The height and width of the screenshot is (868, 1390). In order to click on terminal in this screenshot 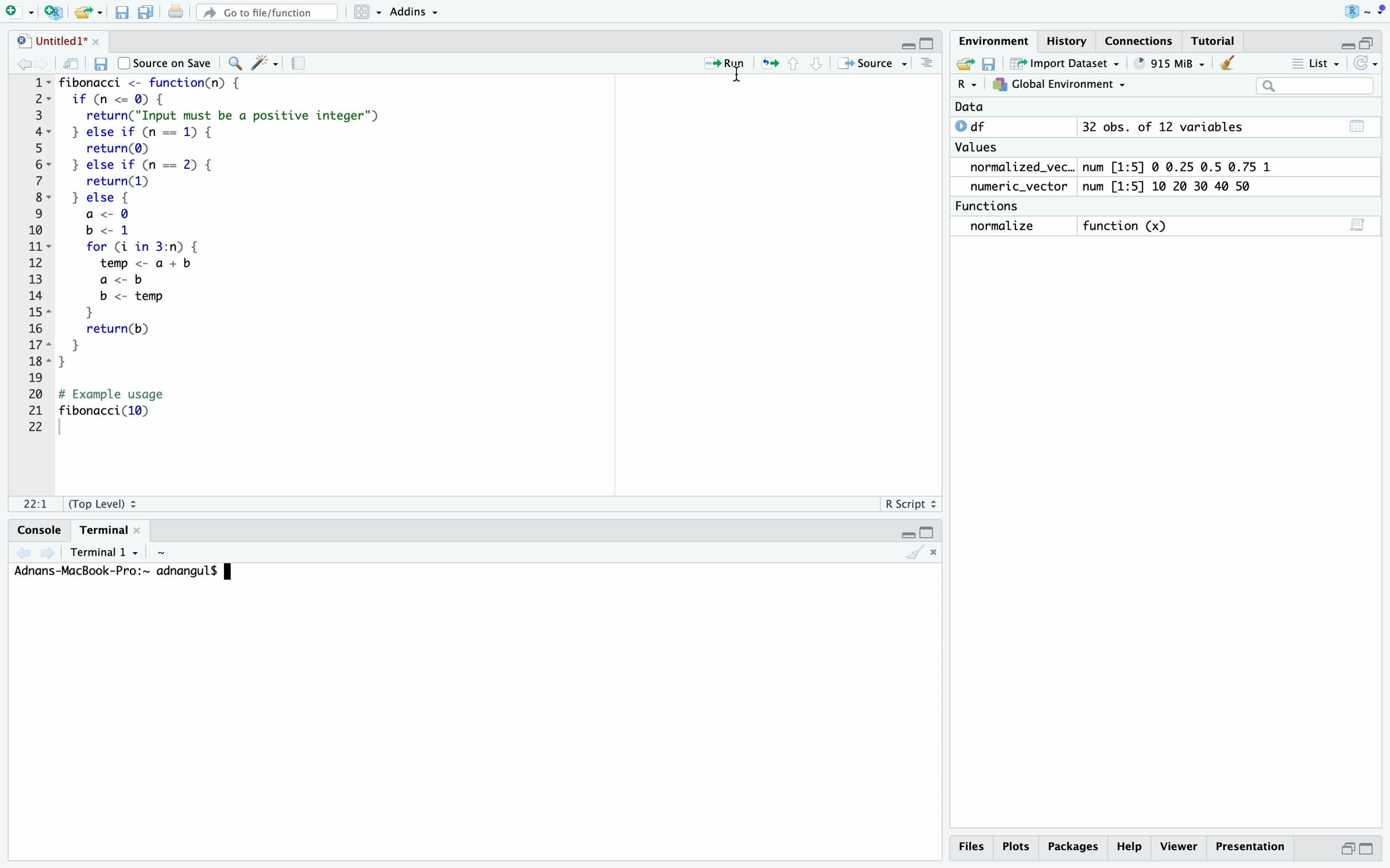, I will do `click(113, 529)`.